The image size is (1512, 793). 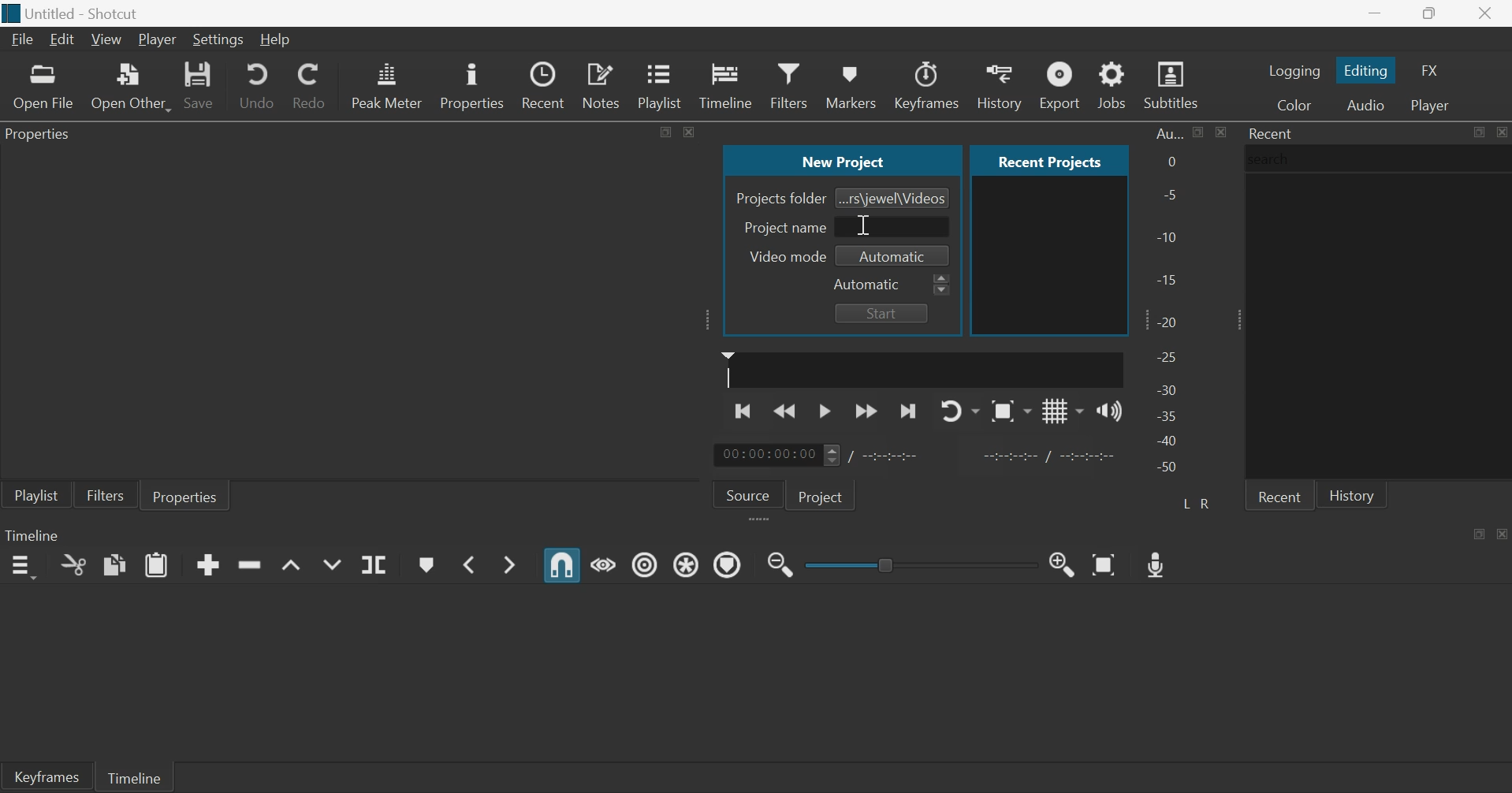 What do you see at coordinates (688, 563) in the screenshot?
I see `Ripple all tracks` at bounding box center [688, 563].